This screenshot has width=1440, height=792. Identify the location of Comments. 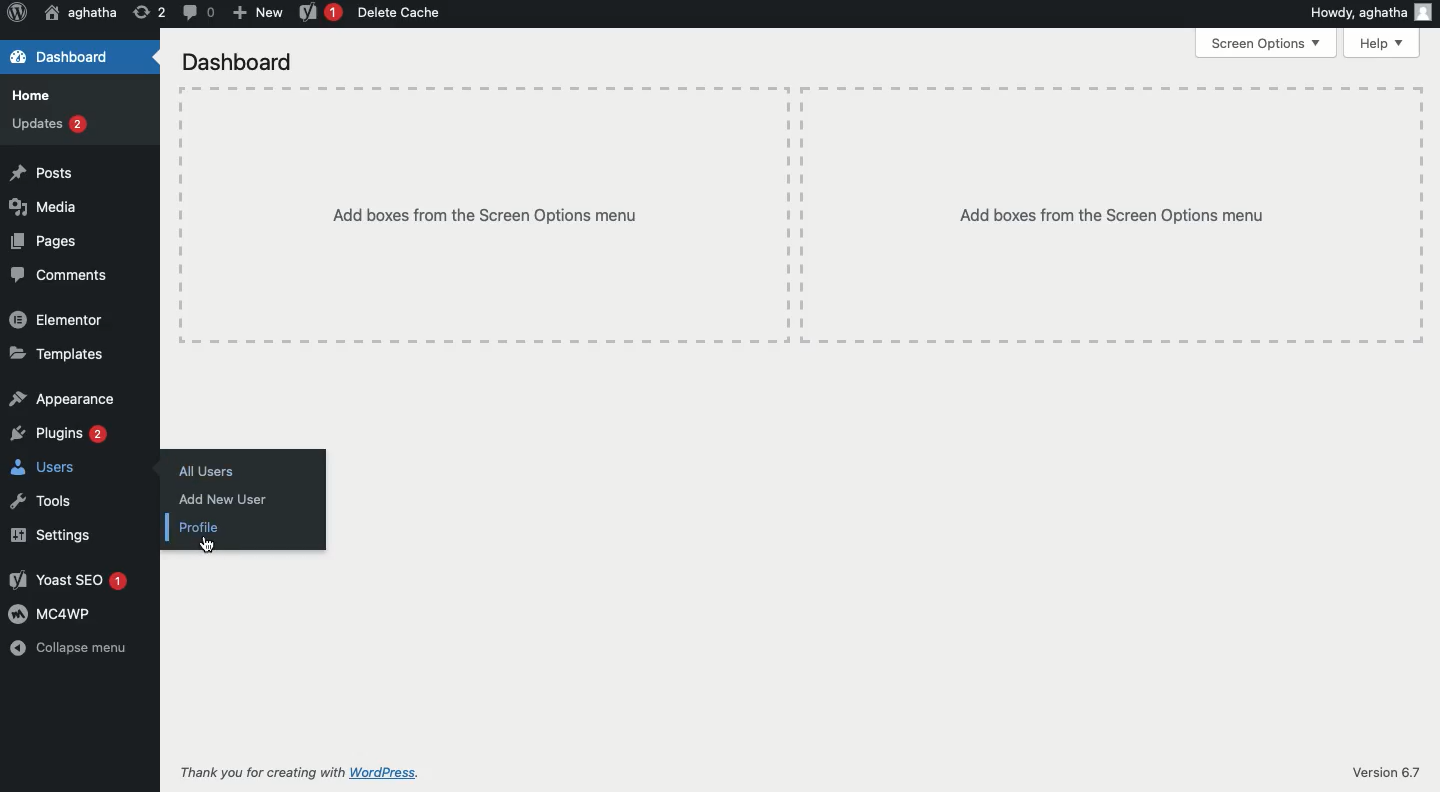
(58, 276).